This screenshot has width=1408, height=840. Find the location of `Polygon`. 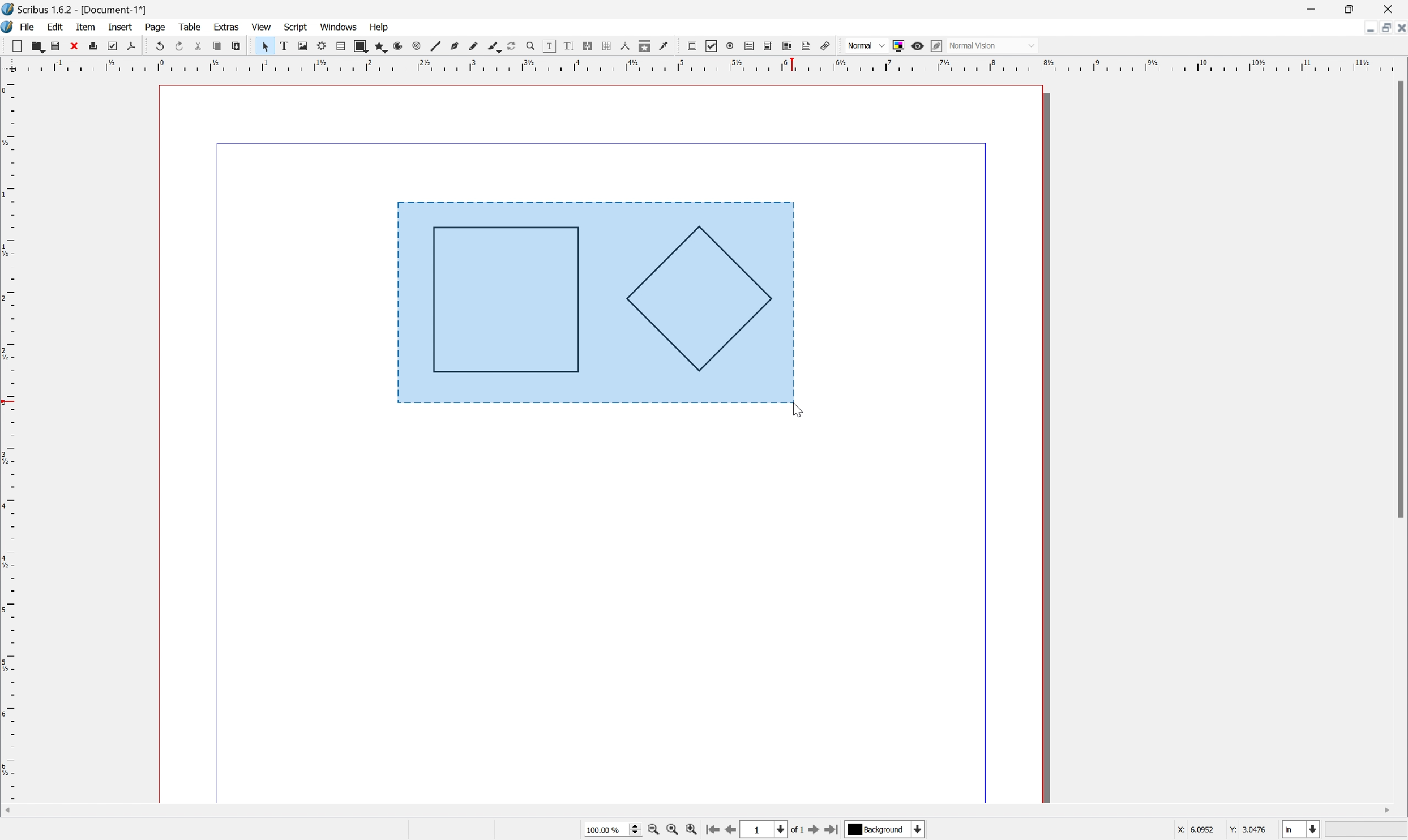

Polygon is located at coordinates (696, 299).